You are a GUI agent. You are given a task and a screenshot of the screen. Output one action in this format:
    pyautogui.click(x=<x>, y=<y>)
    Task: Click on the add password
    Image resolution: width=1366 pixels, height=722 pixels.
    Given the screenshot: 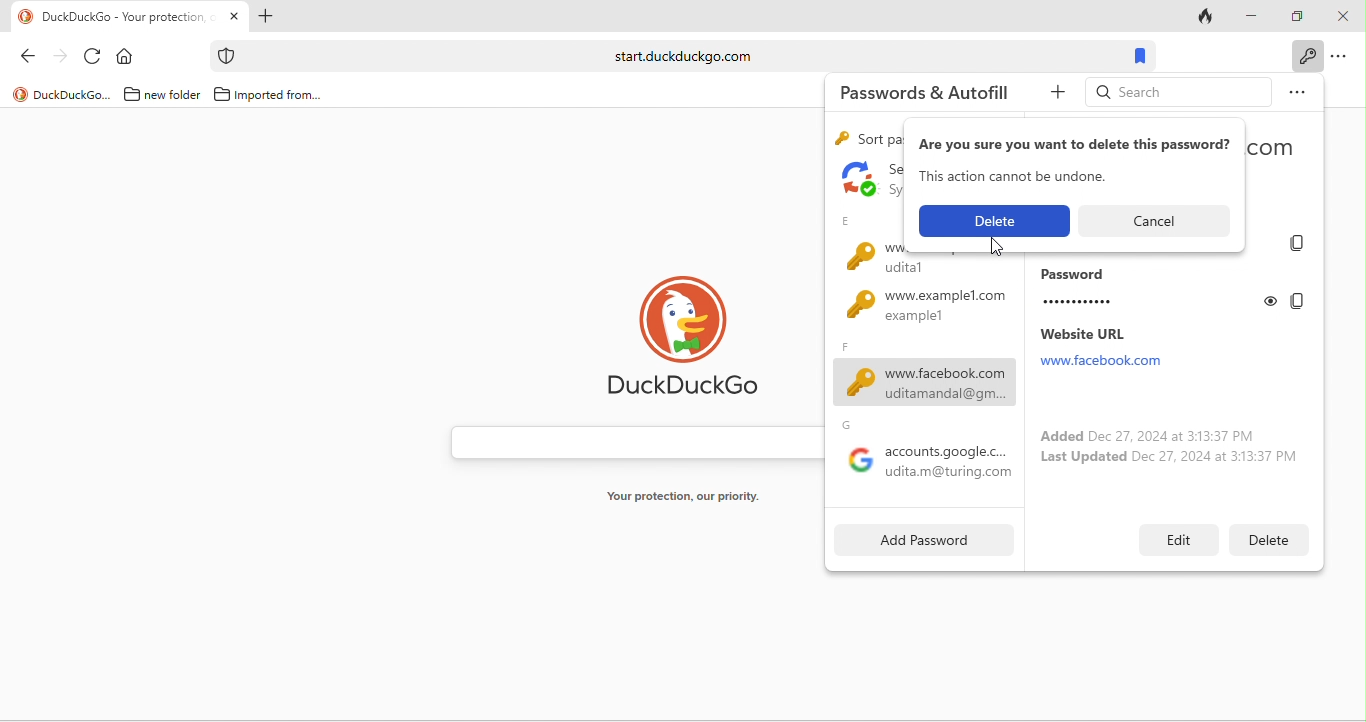 What is the action you would take?
    pyautogui.click(x=917, y=541)
    